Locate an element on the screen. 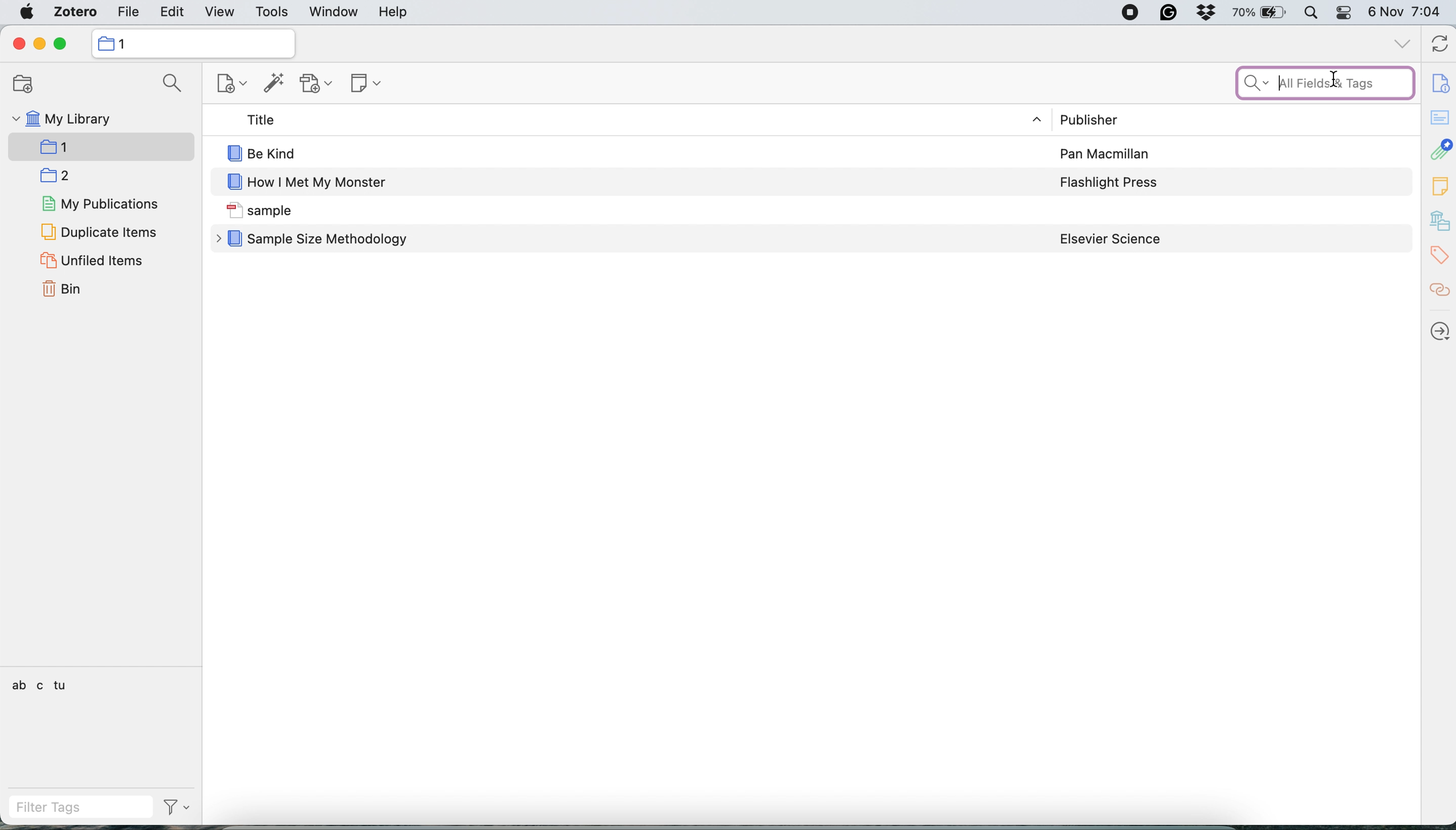  collapse all tabs is located at coordinates (1402, 42).